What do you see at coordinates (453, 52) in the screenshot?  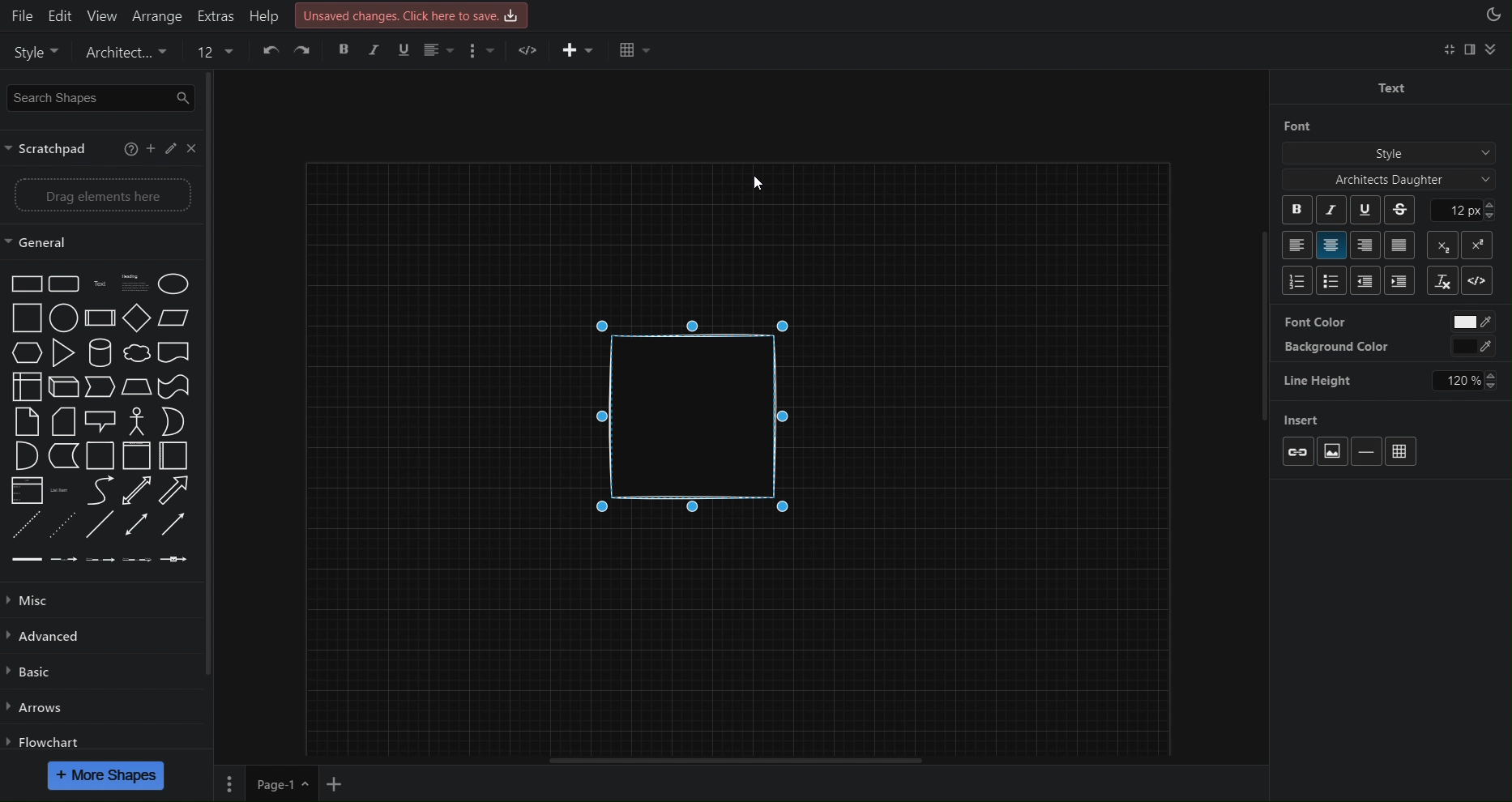 I see `Line Color` at bounding box center [453, 52].